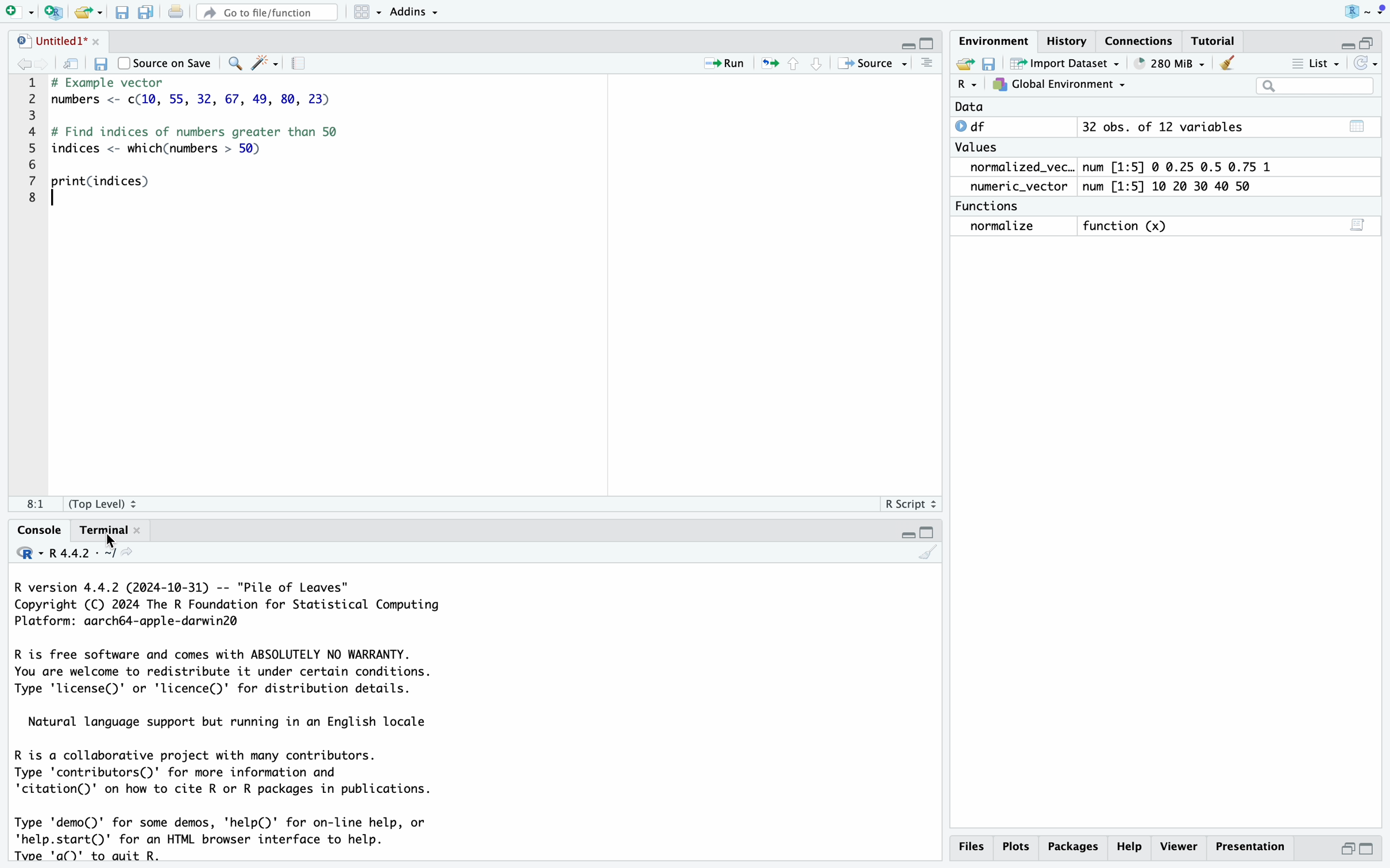  Describe the element at coordinates (1178, 186) in the screenshot. I see `num [1:5] 10 20 30 40 50` at that location.